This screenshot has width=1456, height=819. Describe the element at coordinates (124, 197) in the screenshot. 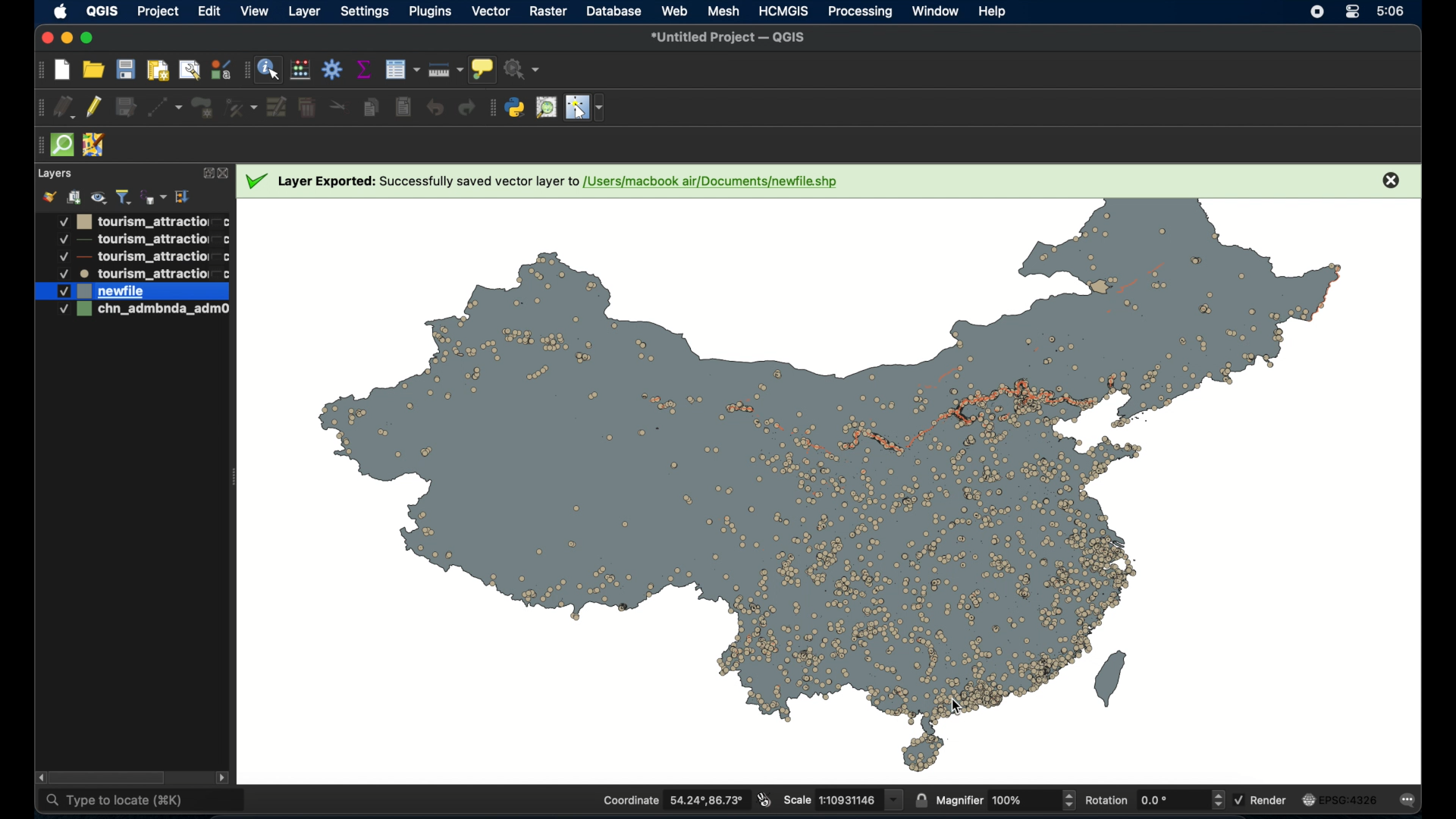

I see `filter legend` at that location.